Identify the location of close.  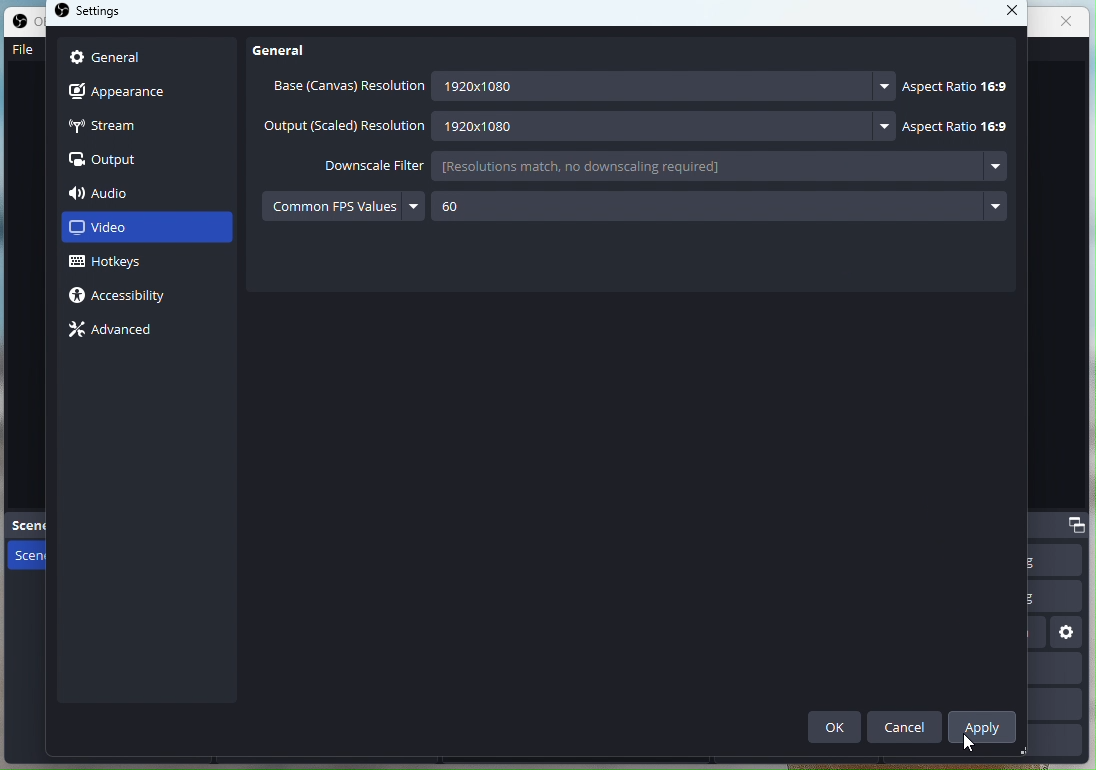
(1069, 20).